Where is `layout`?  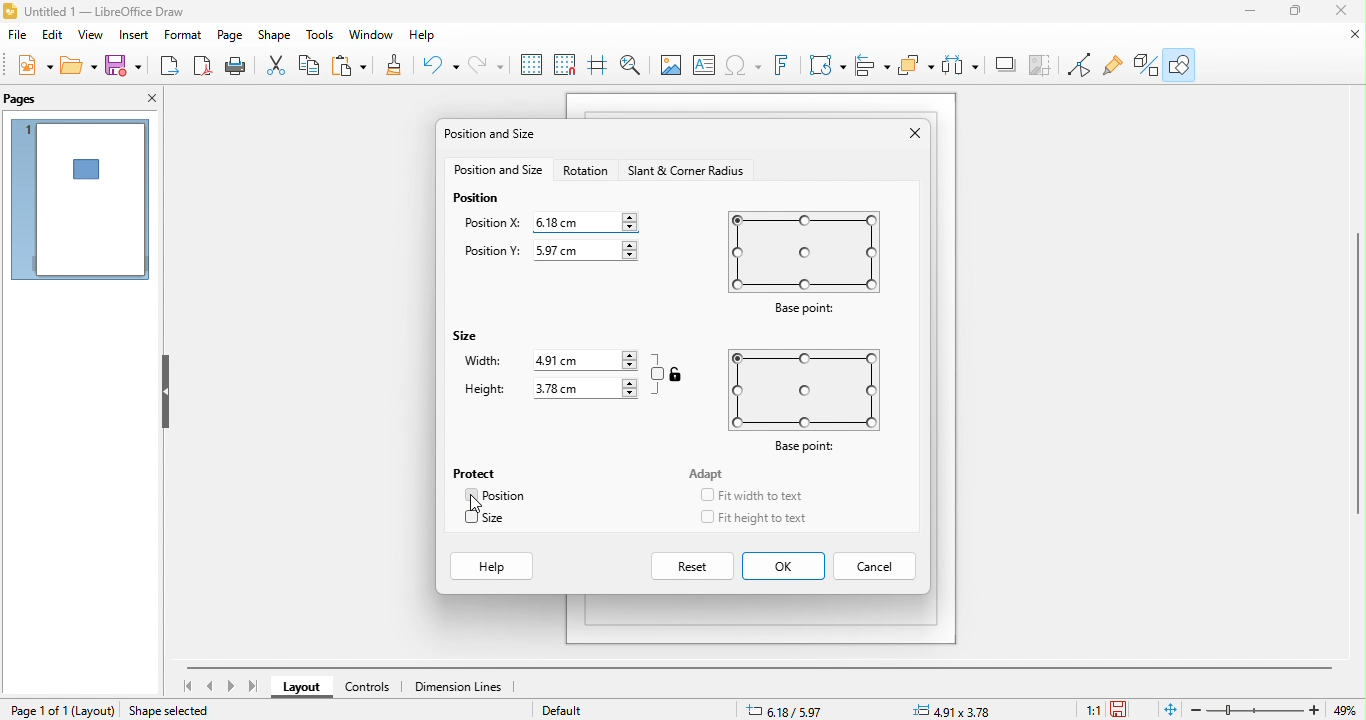
layout is located at coordinates (304, 688).